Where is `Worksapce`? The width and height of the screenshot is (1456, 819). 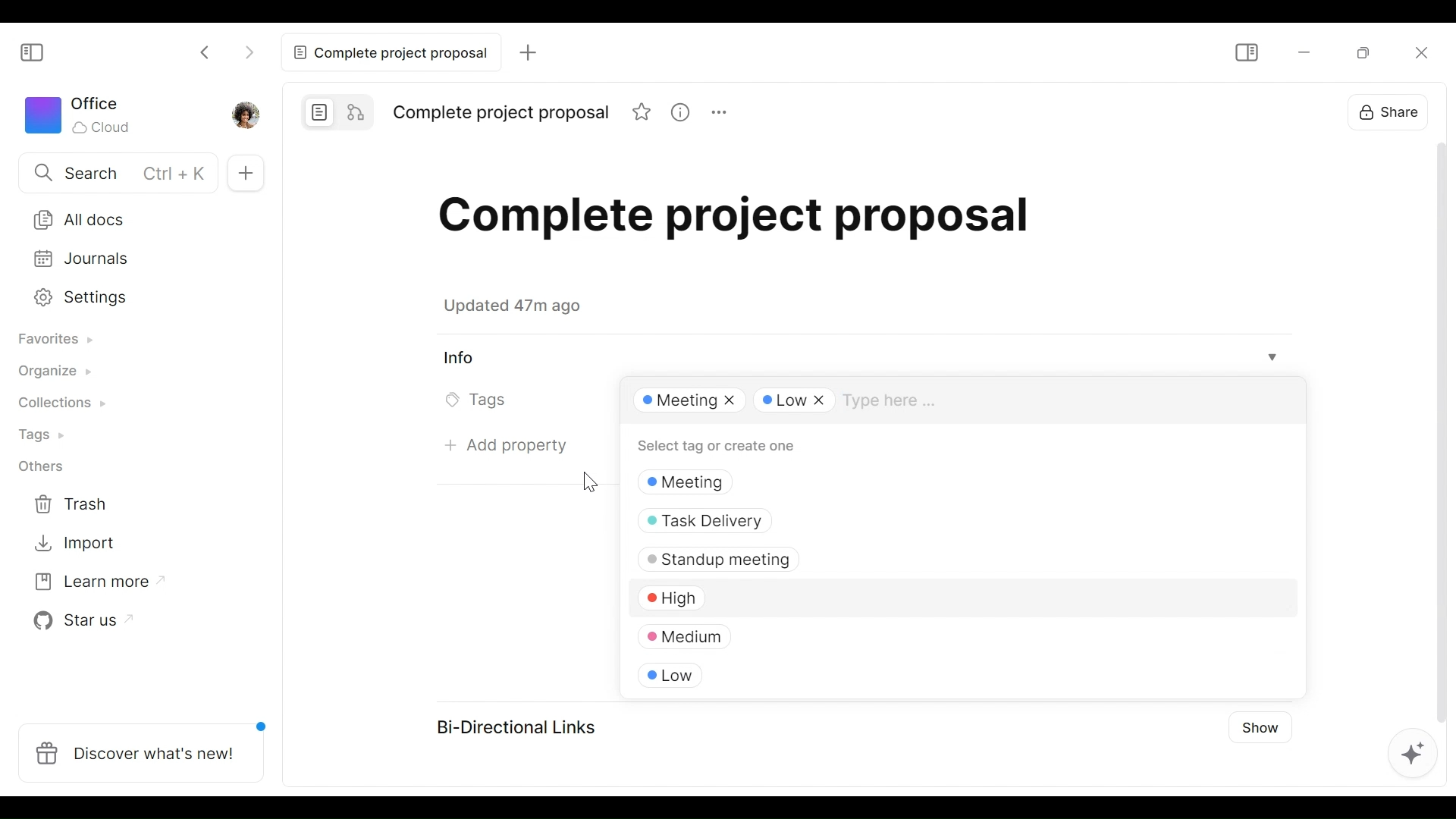 Worksapce is located at coordinates (85, 117).